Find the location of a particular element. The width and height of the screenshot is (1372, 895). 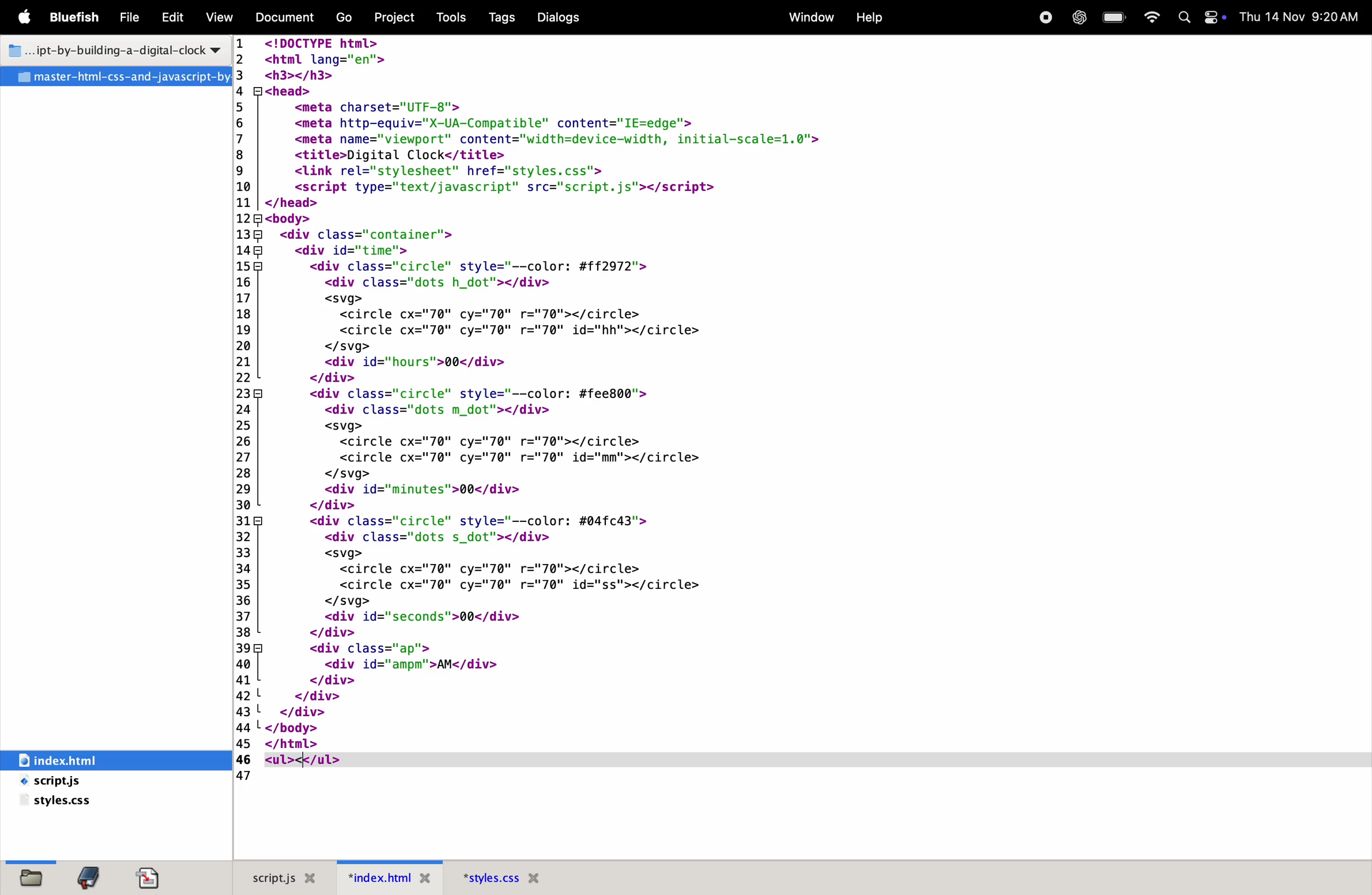

battery is located at coordinates (1113, 18).